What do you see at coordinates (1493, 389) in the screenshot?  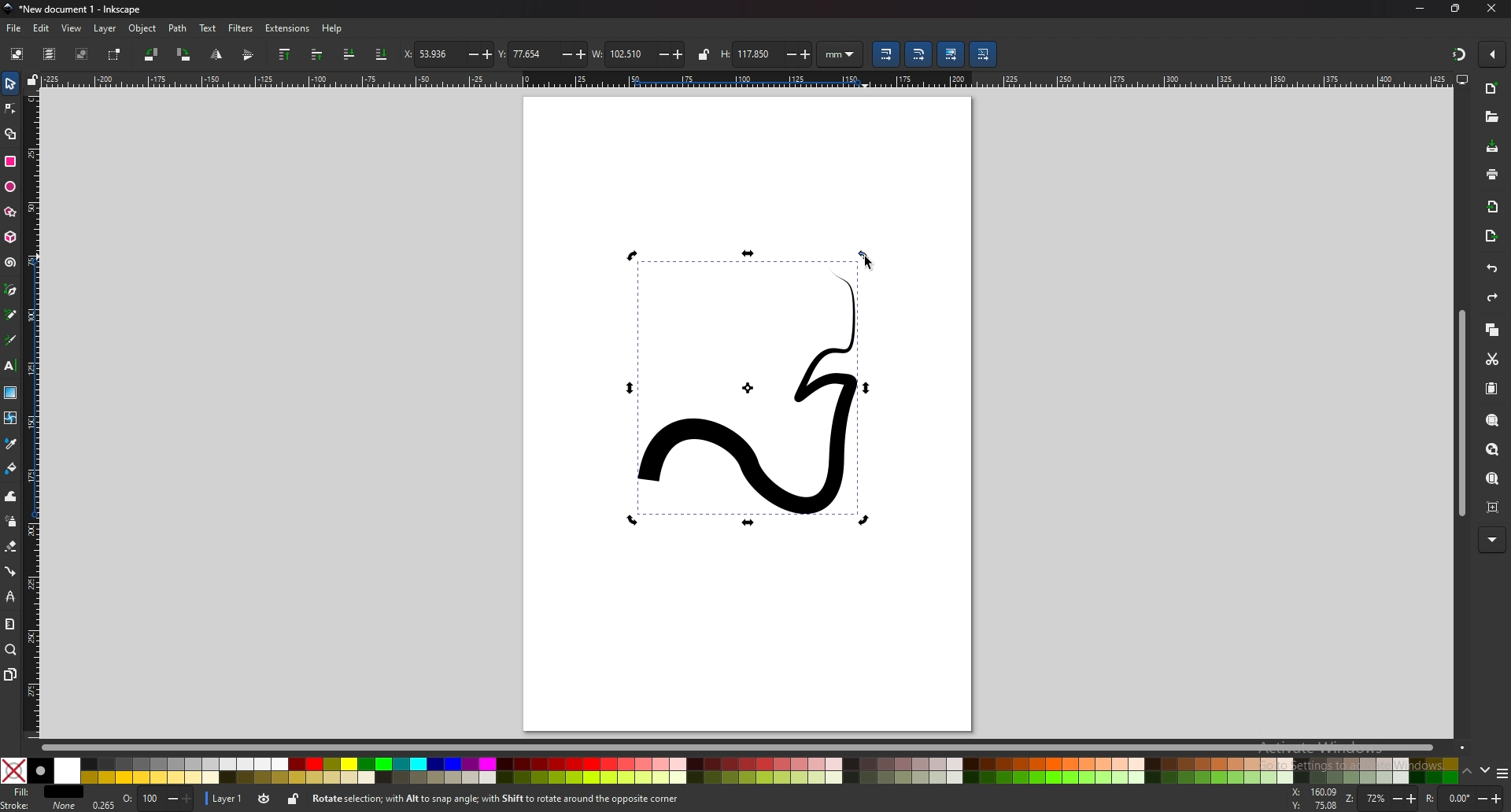 I see `paste` at bounding box center [1493, 389].